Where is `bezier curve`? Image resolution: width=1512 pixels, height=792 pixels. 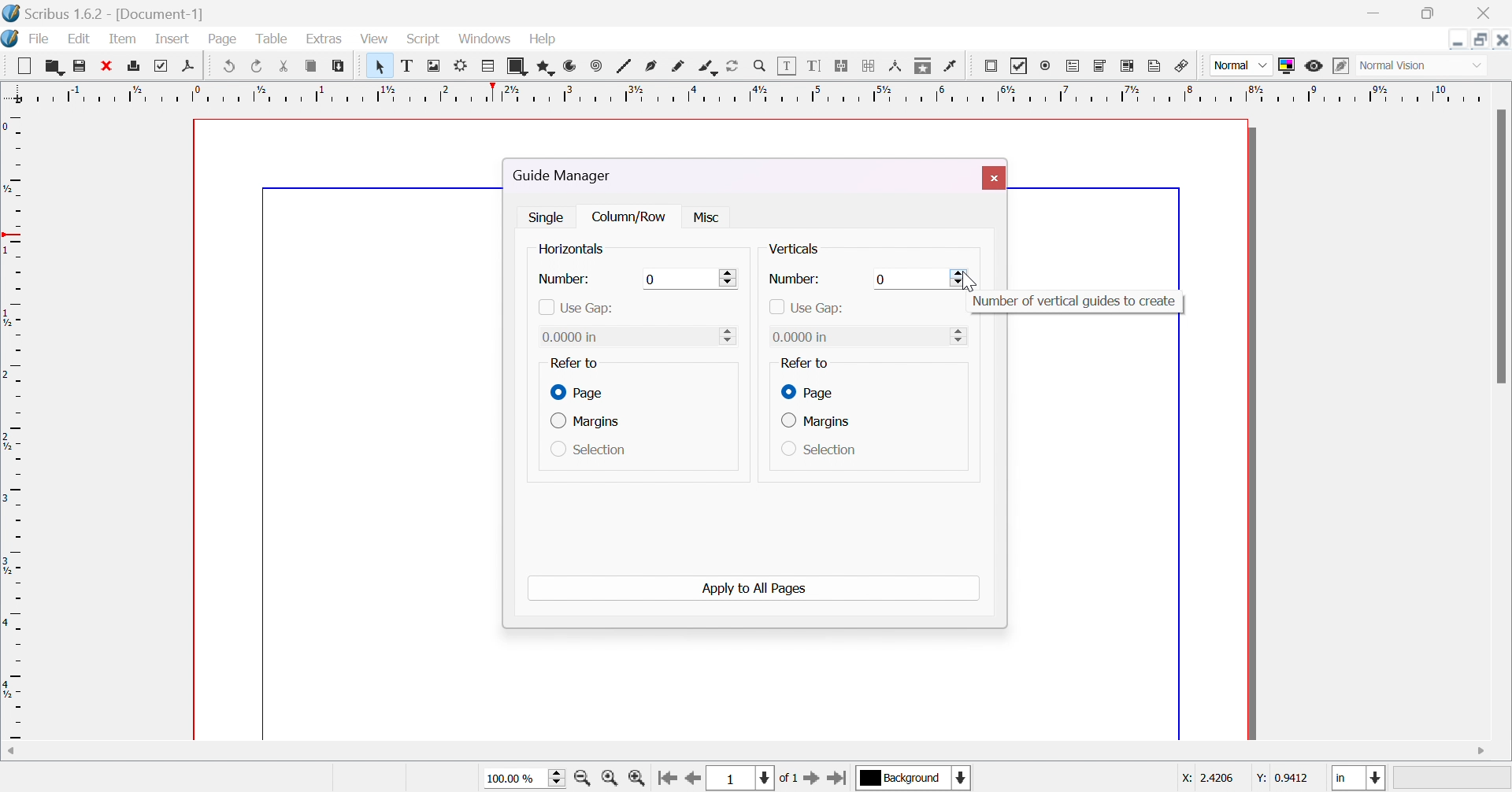 bezier curve is located at coordinates (652, 67).